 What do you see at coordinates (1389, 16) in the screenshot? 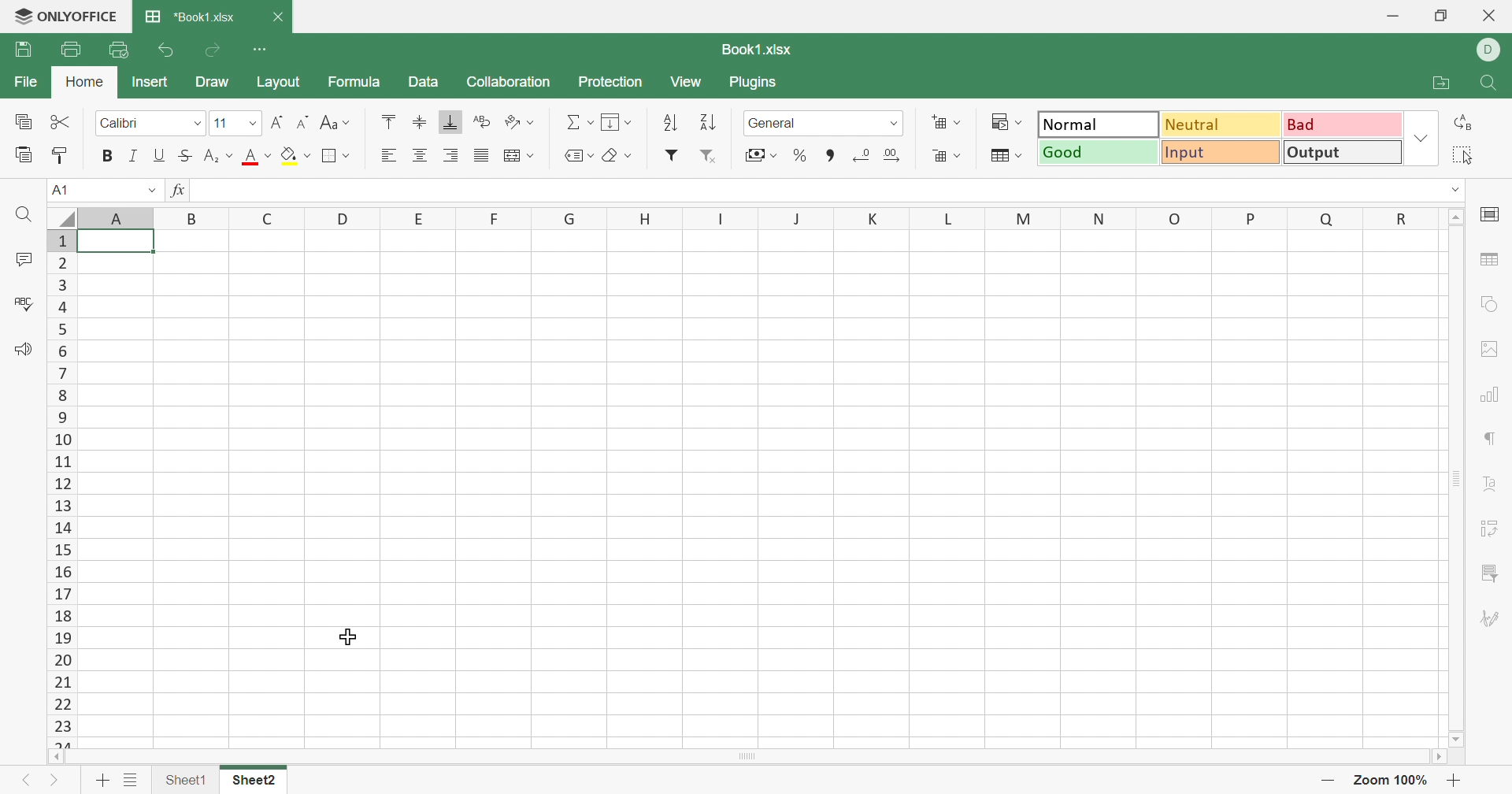
I see `Minimize` at bounding box center [1389, 16].